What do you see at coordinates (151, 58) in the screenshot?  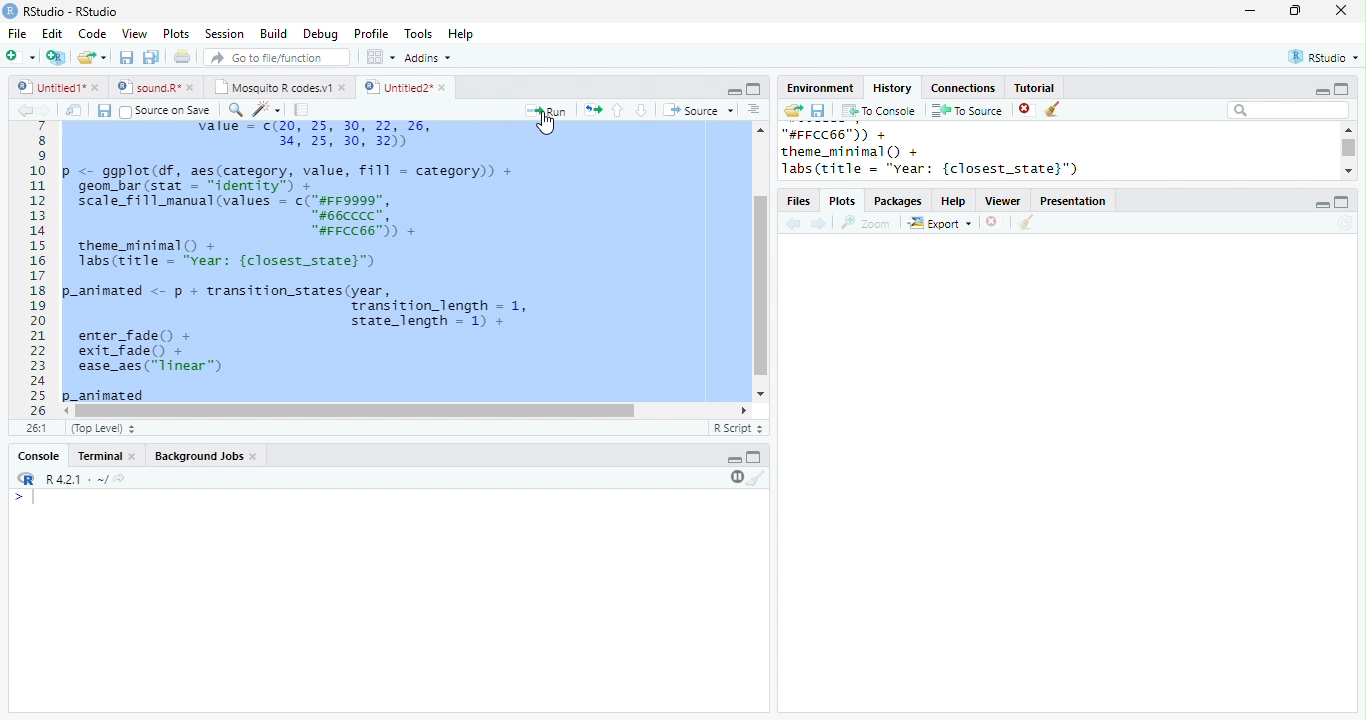 I see `save all` at bounding box center [151, 58].